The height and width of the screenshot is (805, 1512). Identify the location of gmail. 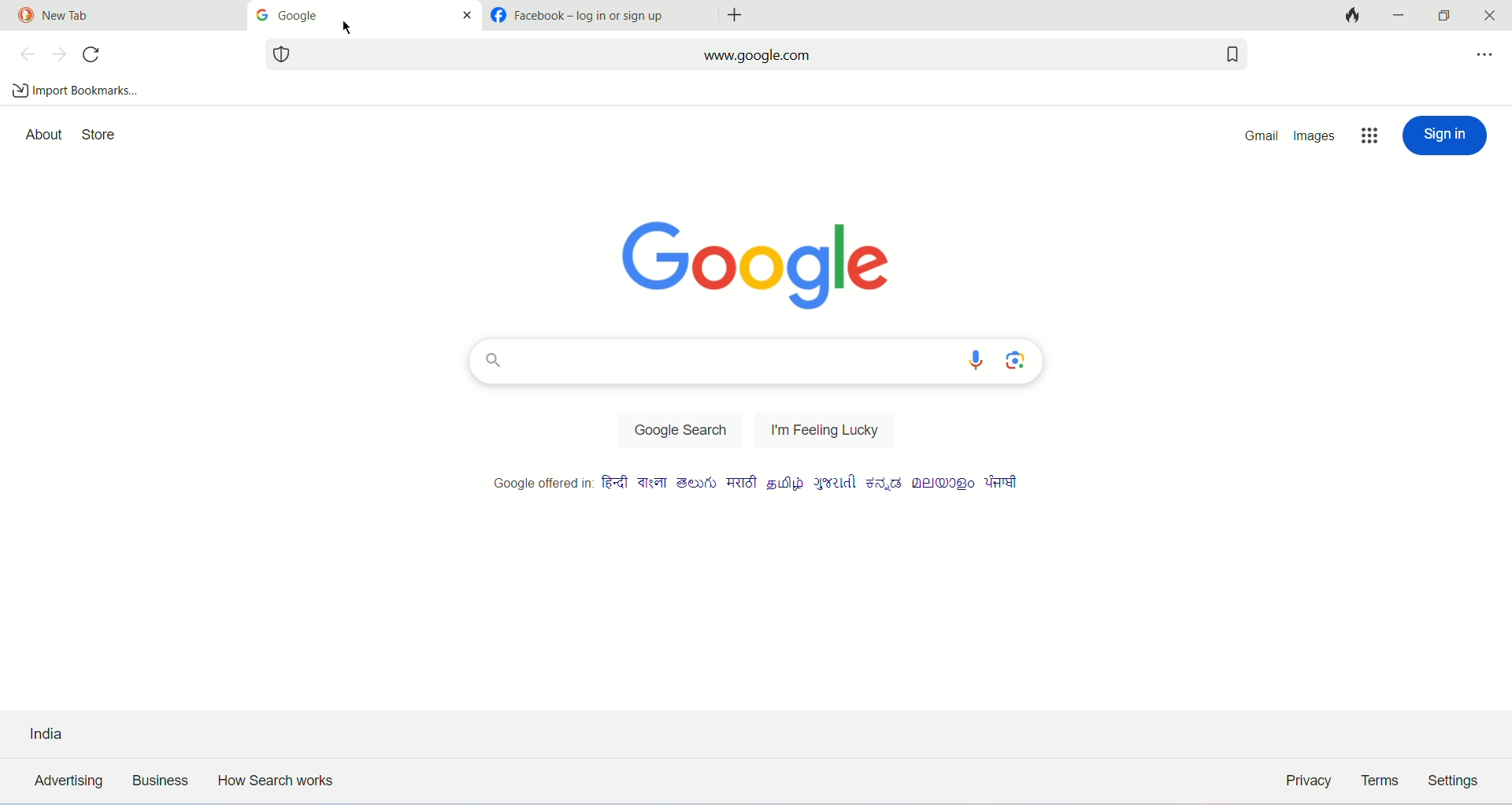
(1265, 135).